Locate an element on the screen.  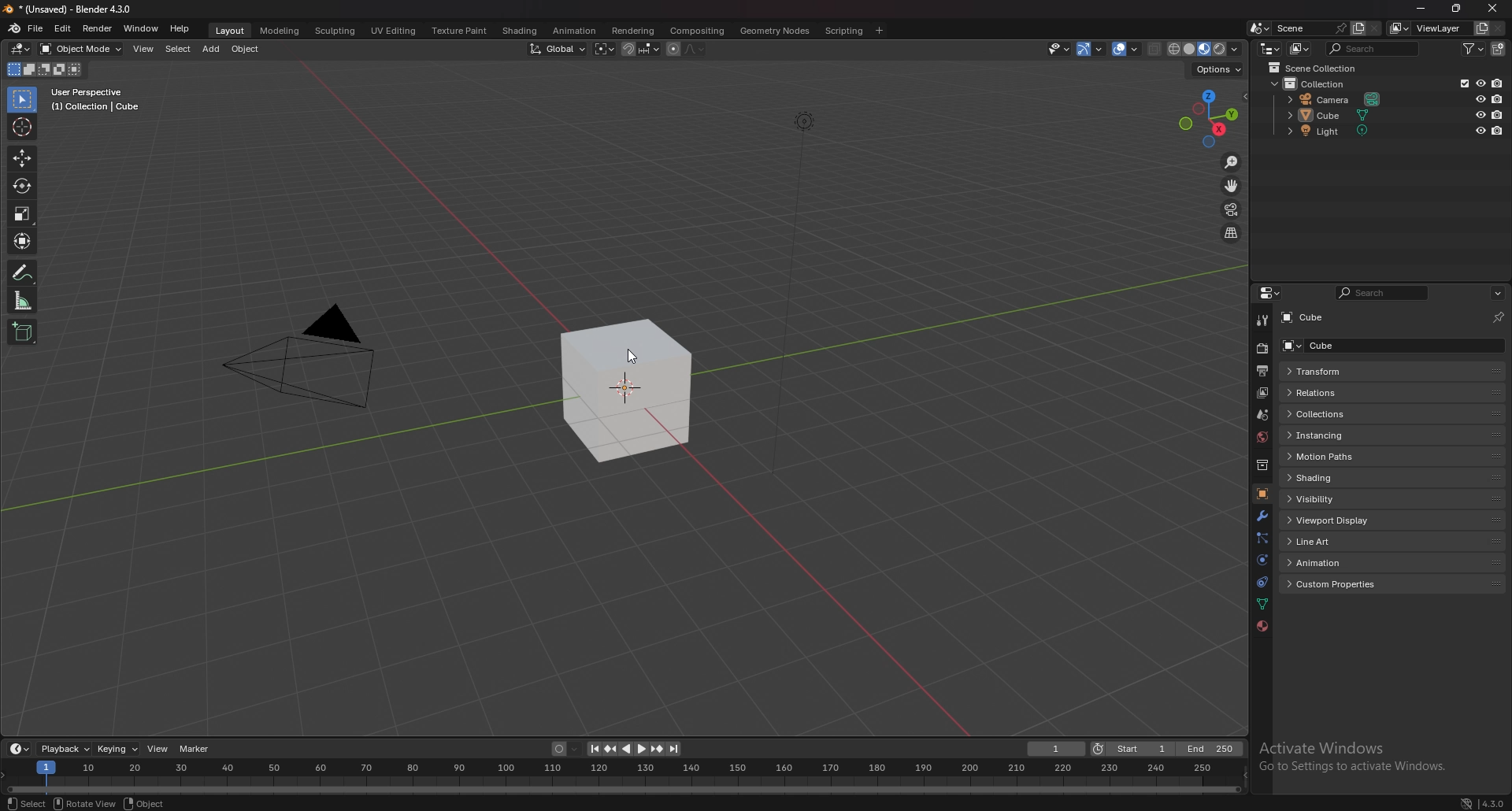
start is located at coordinates (1132, 749).